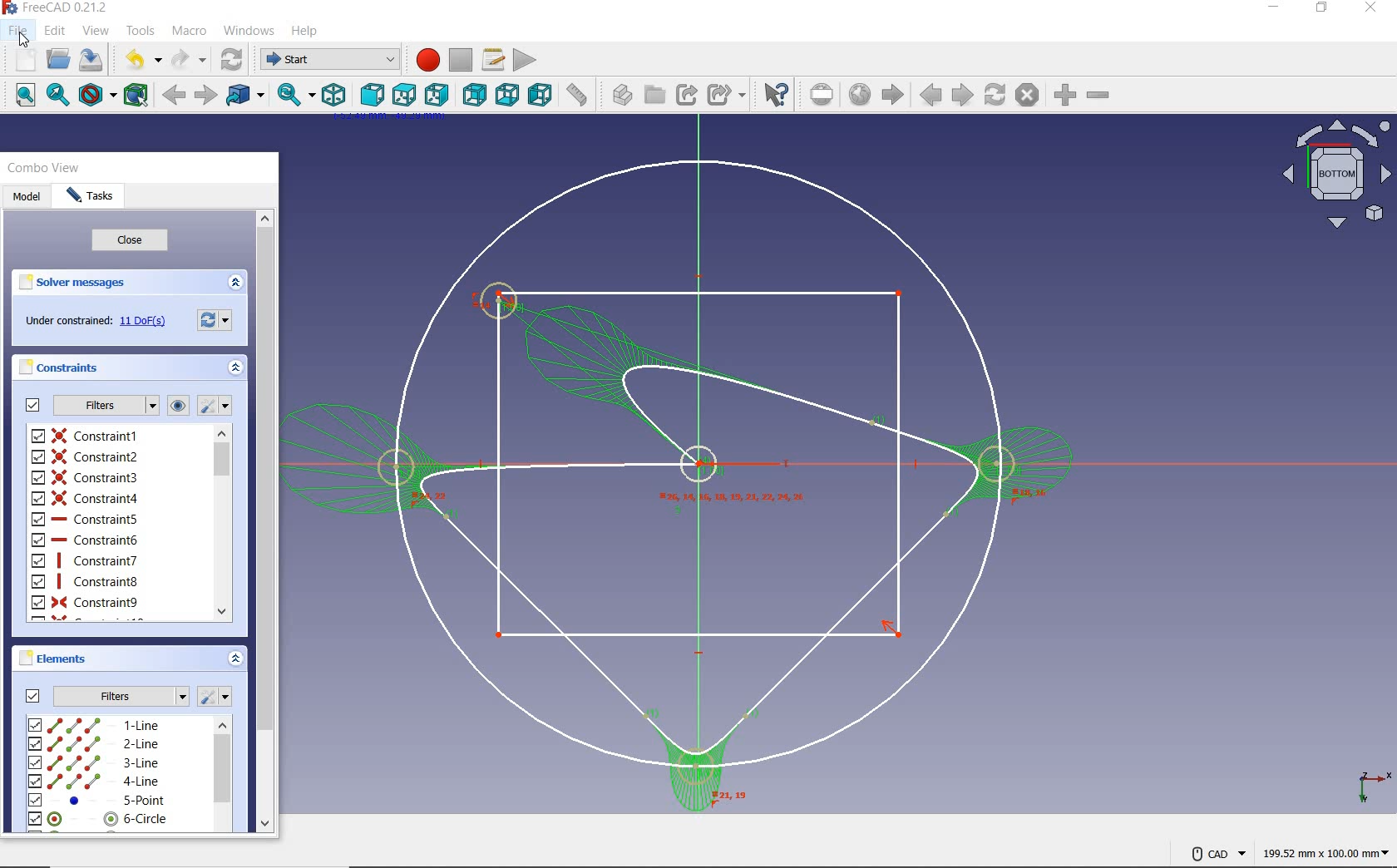 The image size is (1397, 868). What do you see at coordinates (185, 60) in the screenshot?
I see `redo` at bounding box center [185, 60].